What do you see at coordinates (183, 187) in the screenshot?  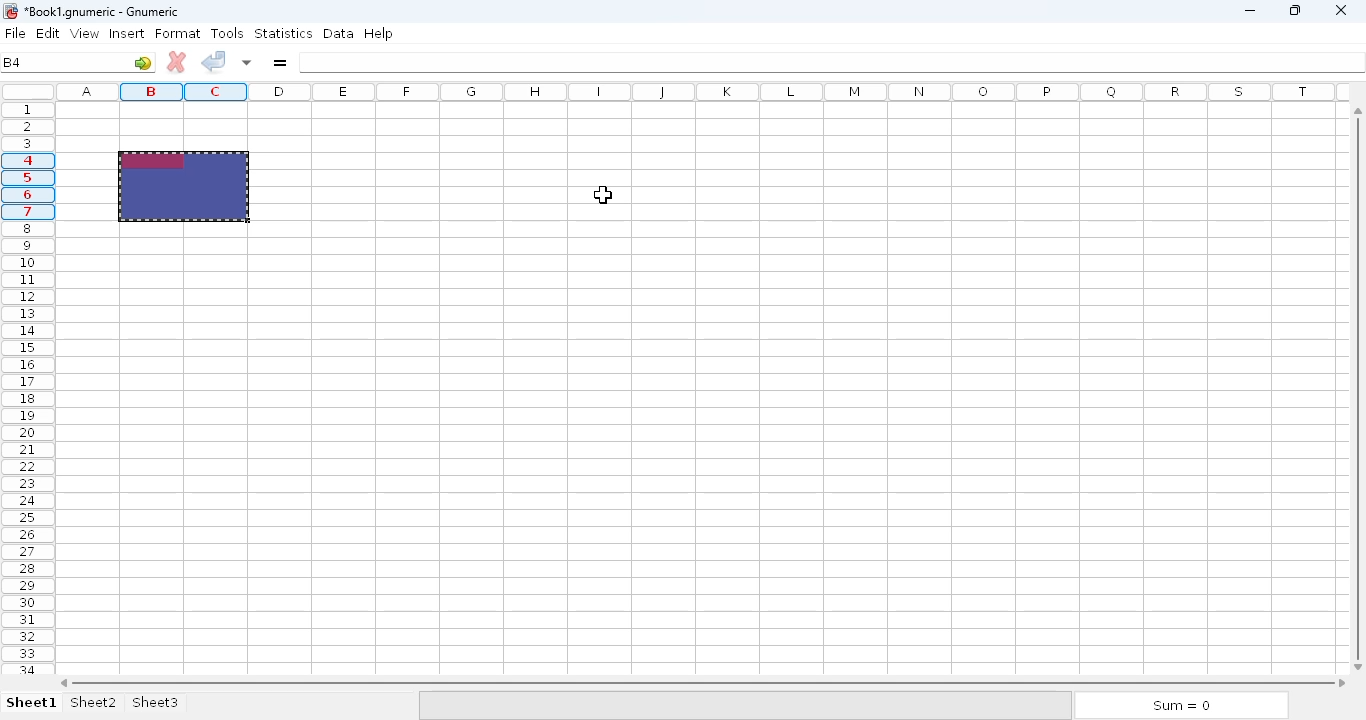 I see `hotkey (Ctrl+C) on selected range` at bounding box center [183, 187].